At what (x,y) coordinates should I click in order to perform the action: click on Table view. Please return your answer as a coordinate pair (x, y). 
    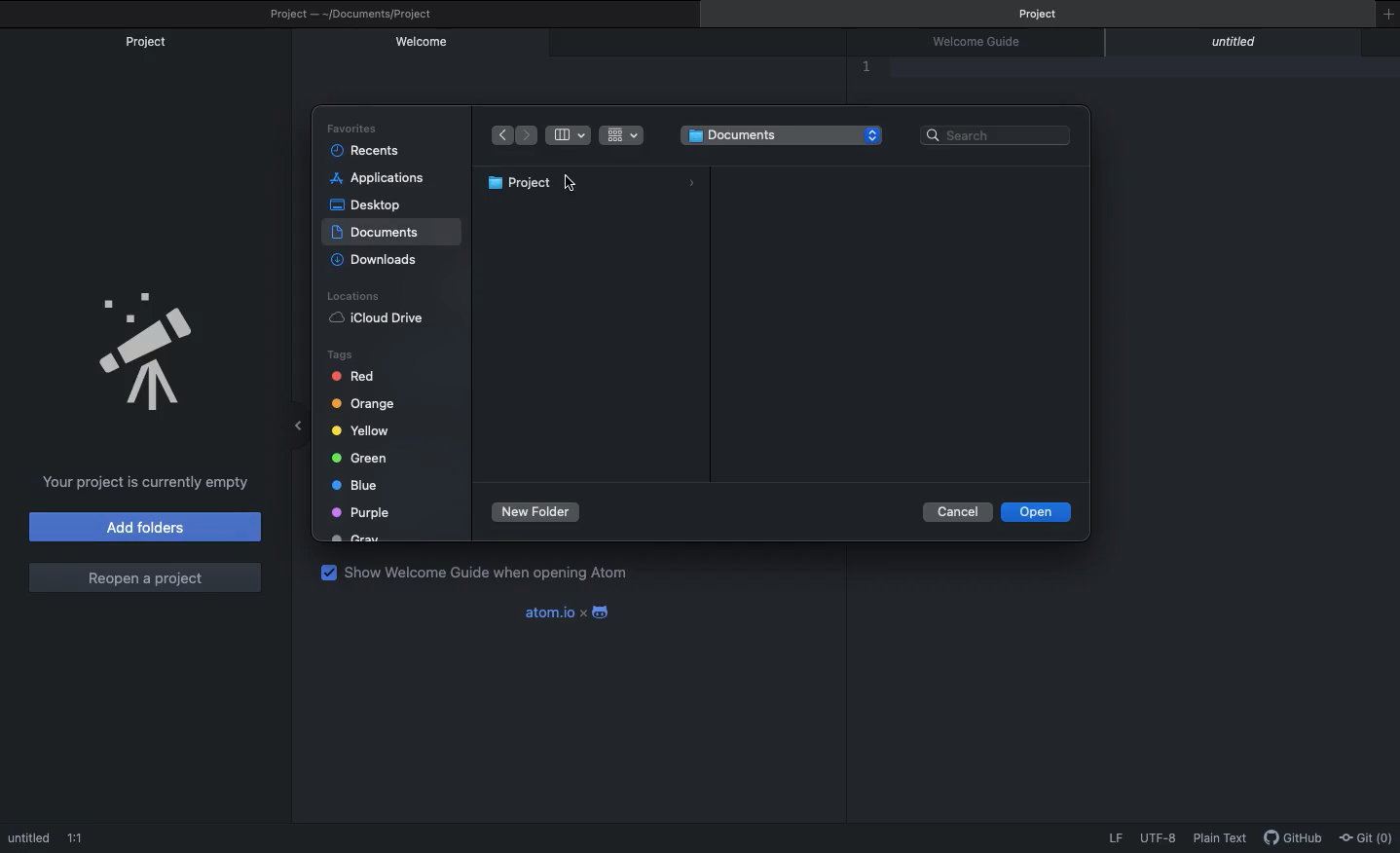
    Looking at the image, I should click on (568, 134).